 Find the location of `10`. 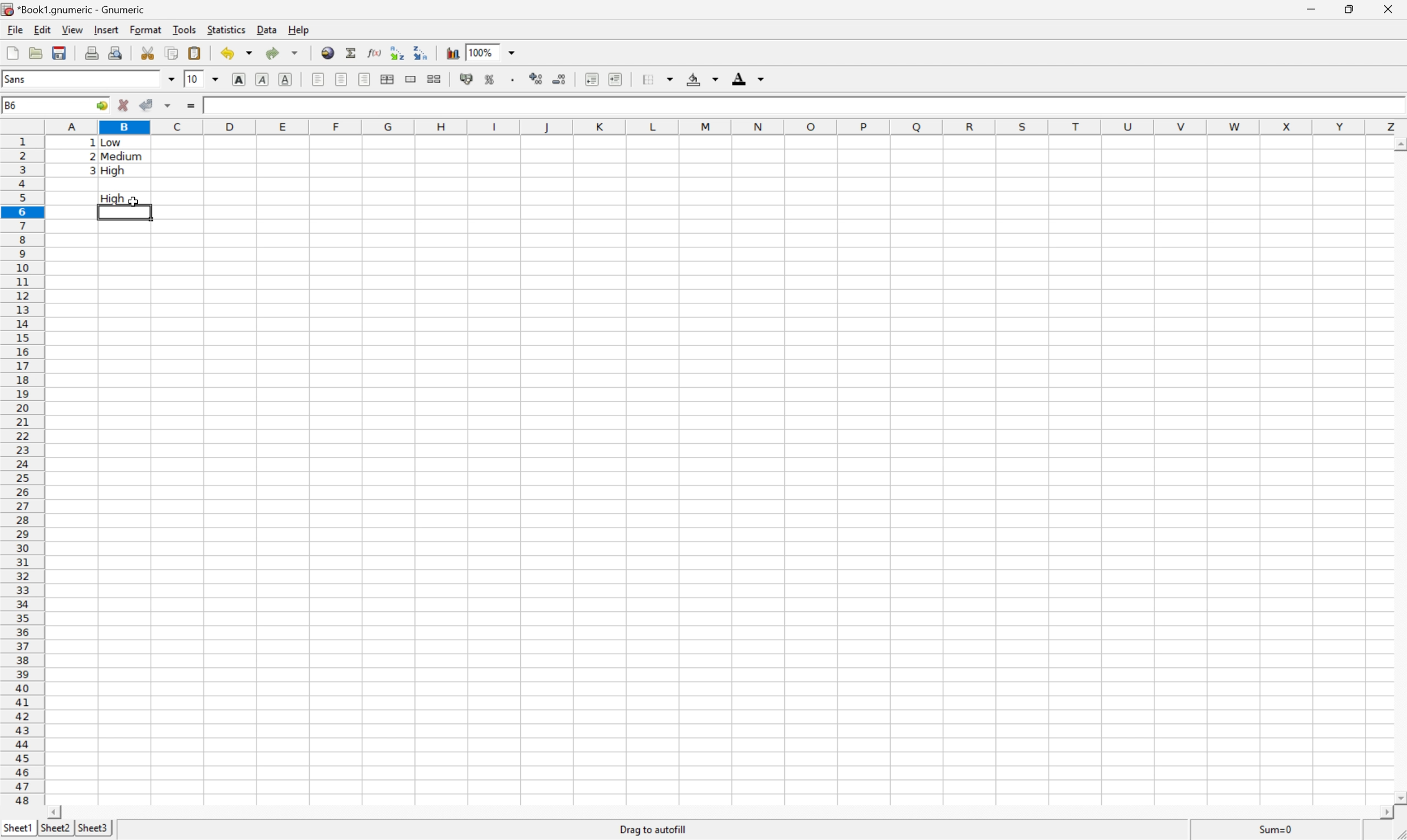

10 is located at coordinates (193, 79).